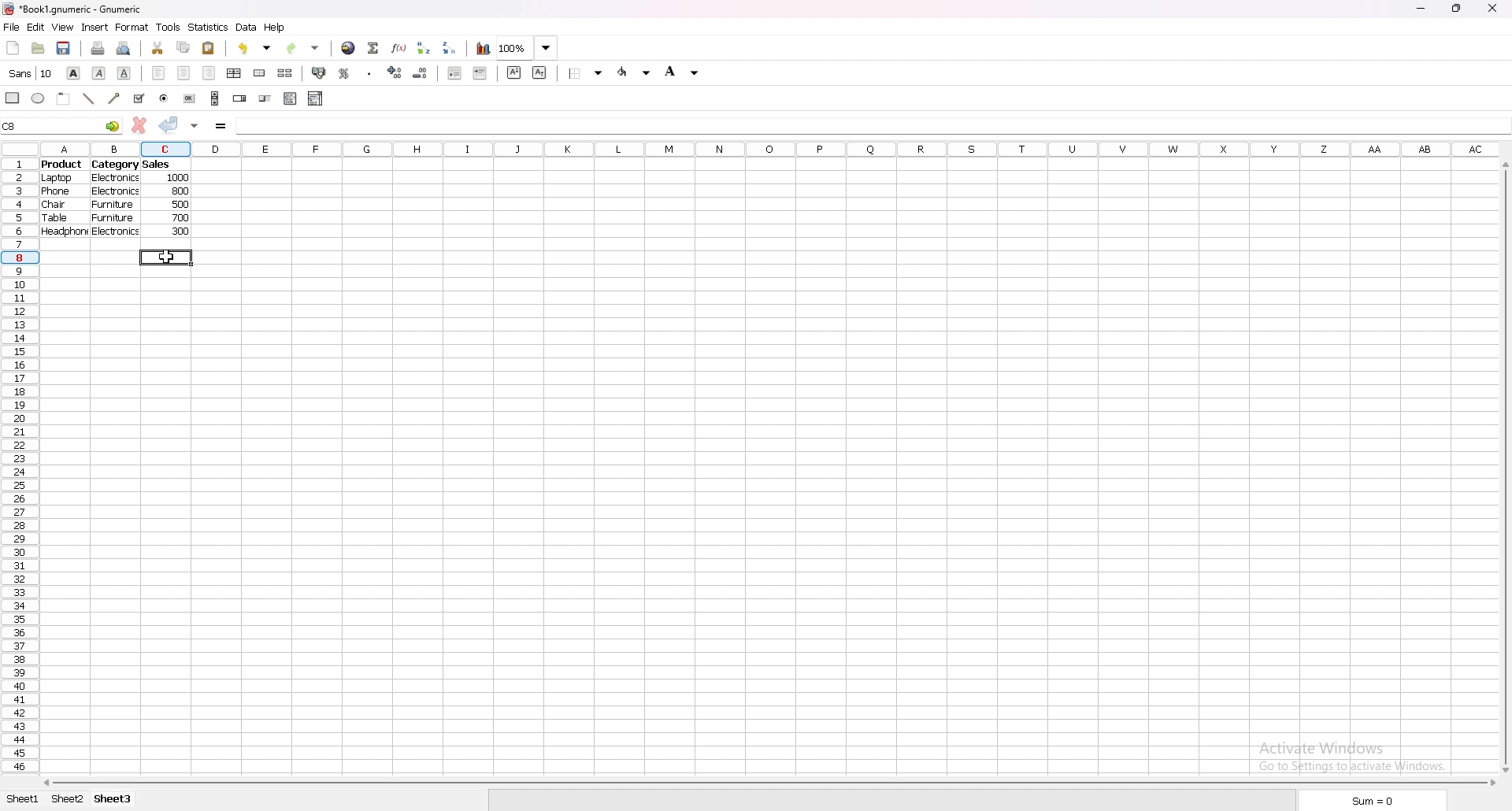 Image resolution: width=1512 pixels, height=811 pixels. I want to click on font, so click(31, 73).